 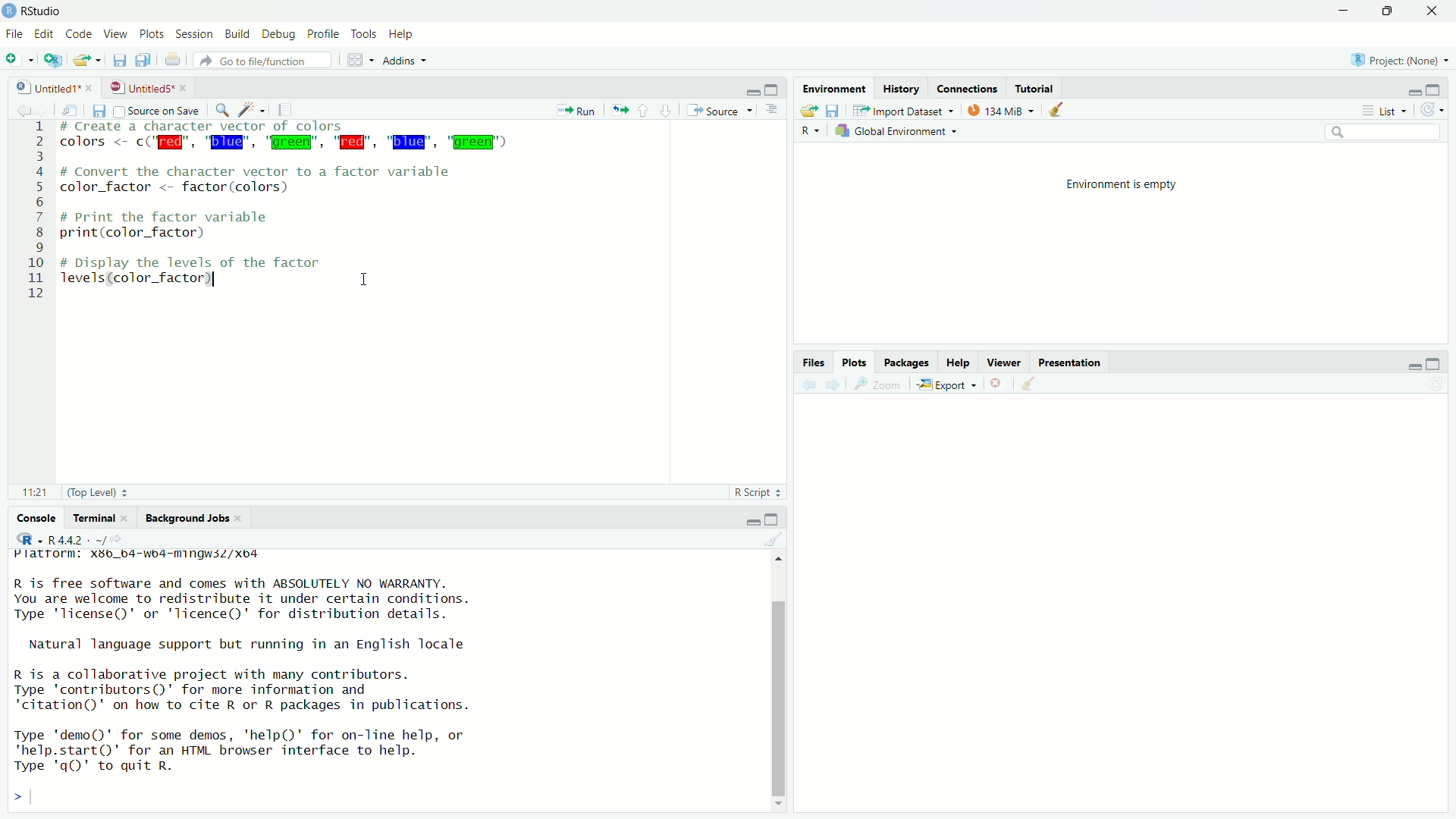 I want to click on close, so click(x=90, y=88).